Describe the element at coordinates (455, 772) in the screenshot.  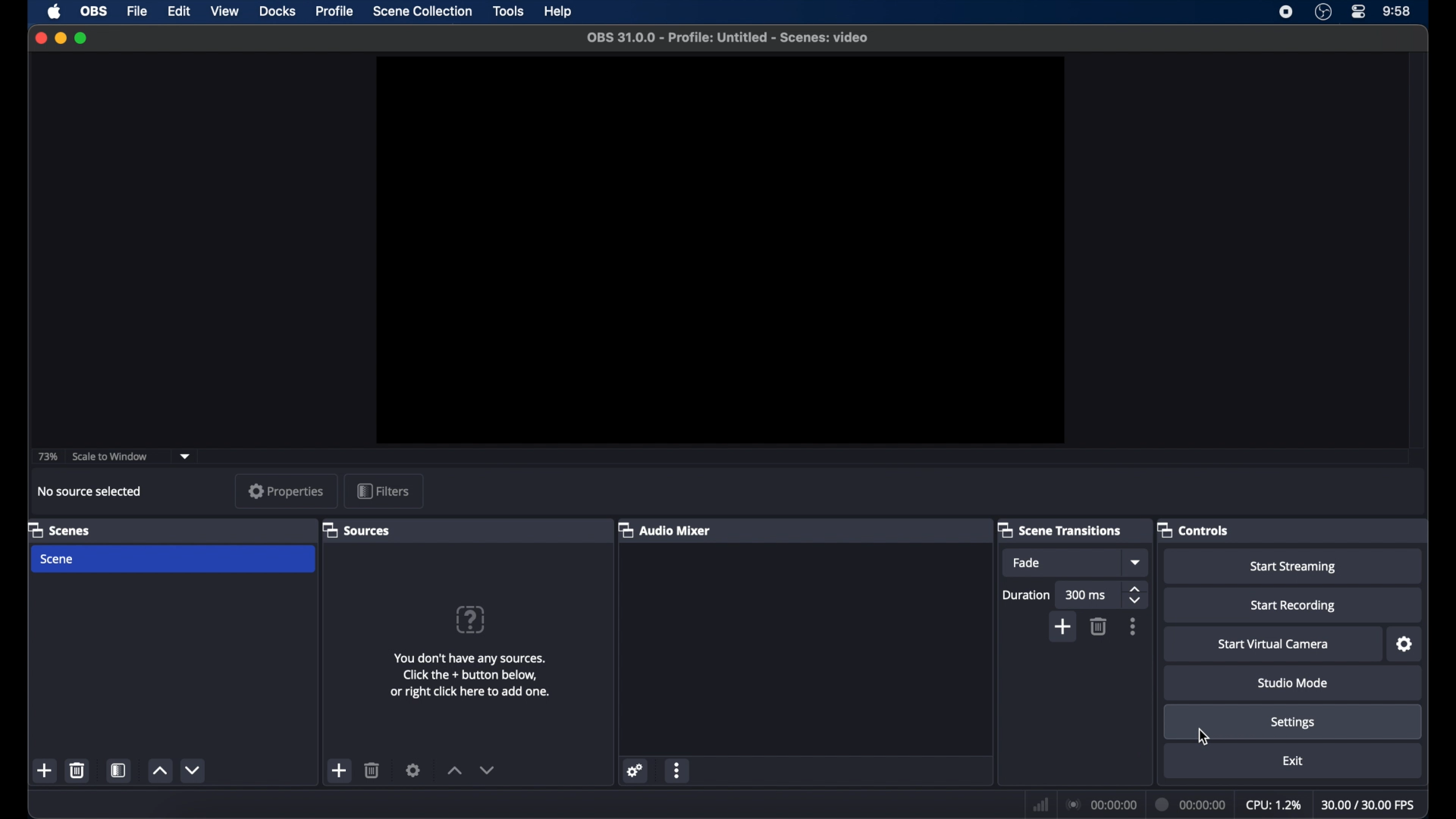
I see `increment` at that location.